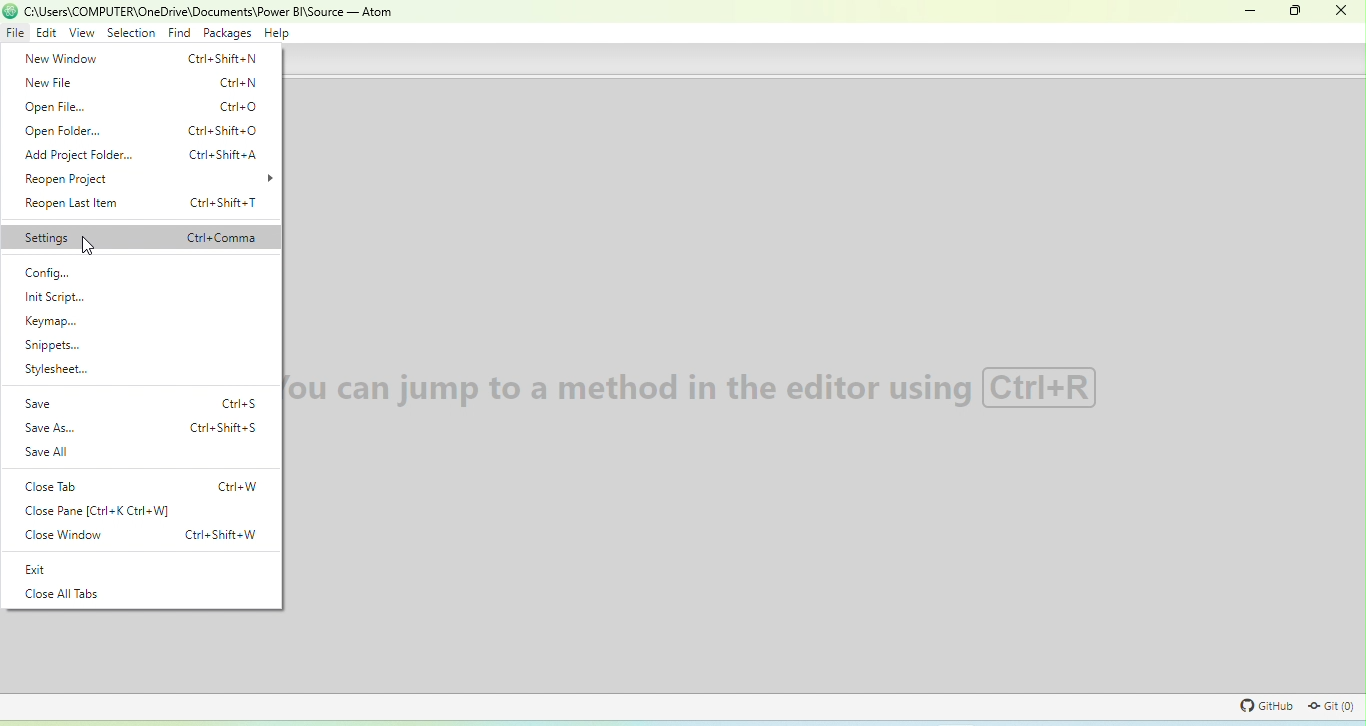  What do you see at coordinates (697, 390) in the screenshot?
I see `lou can jump to a method in the editor using (Ctrl+R` at bounding box center [697, 390].